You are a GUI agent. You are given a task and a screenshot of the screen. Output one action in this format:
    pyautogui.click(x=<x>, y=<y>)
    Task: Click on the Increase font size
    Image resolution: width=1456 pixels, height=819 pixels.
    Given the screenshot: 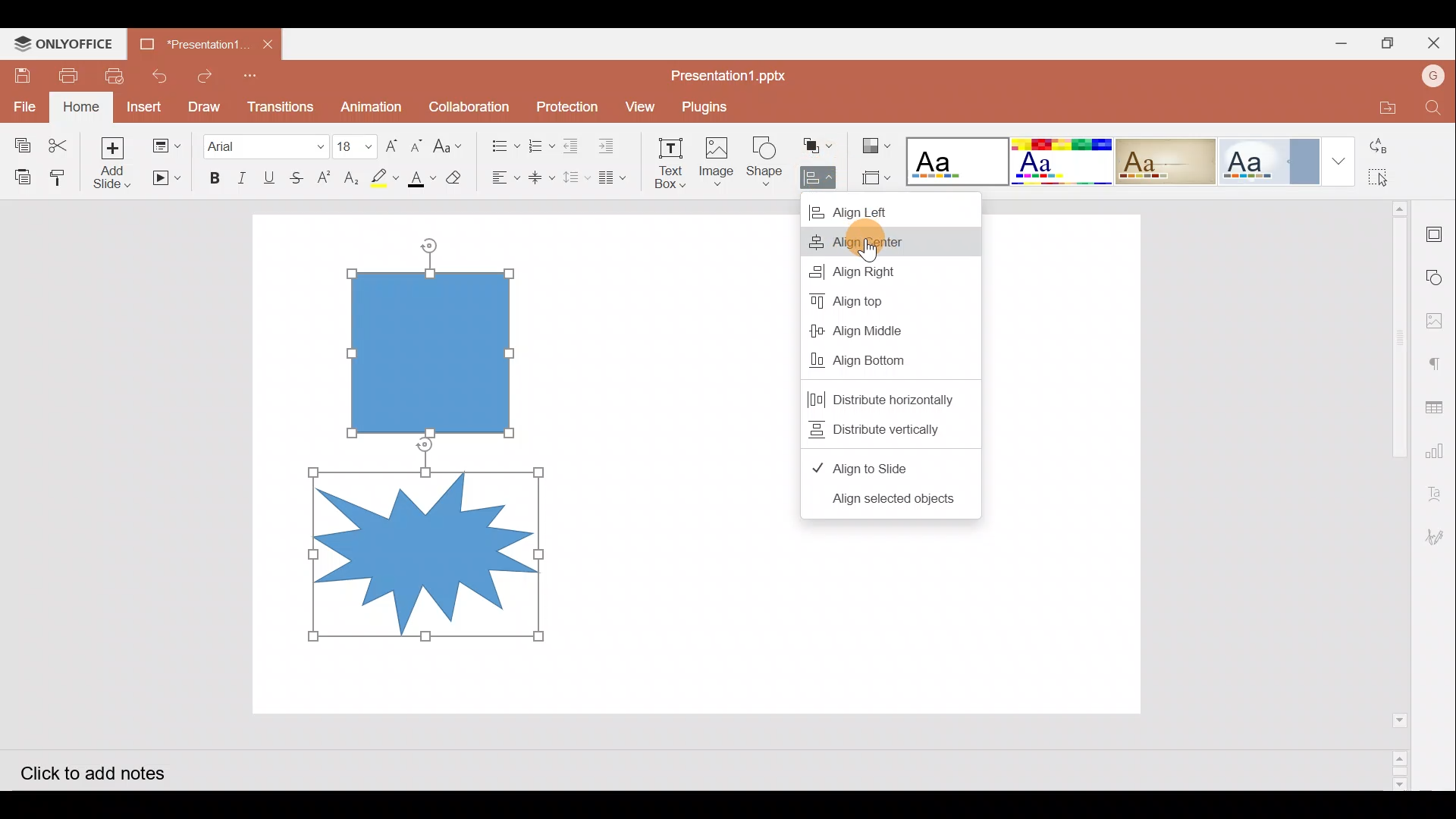 What is the action you would take?
    pyautogui.click(x=390, y=141)
    